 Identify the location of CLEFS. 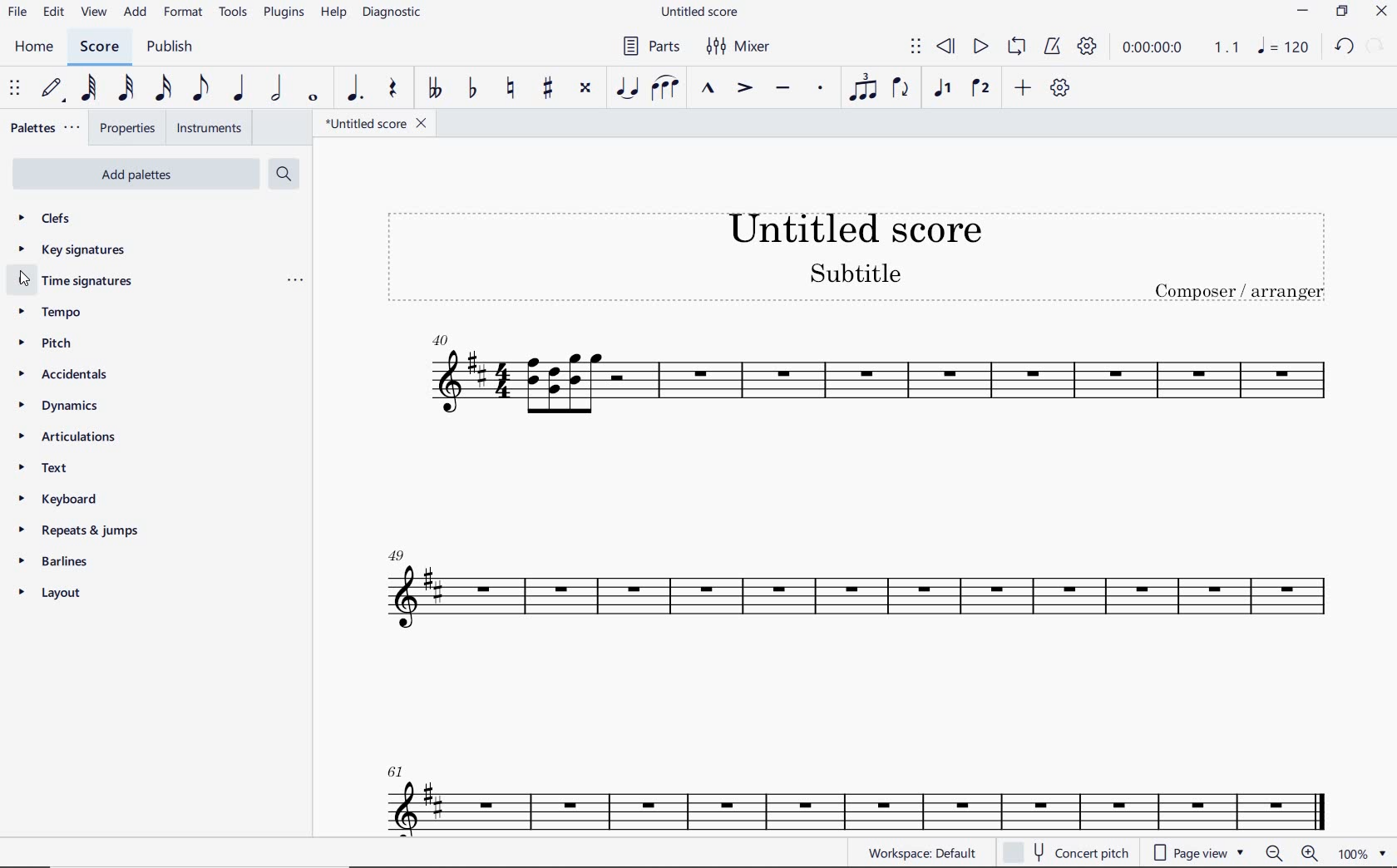
(47, 220).